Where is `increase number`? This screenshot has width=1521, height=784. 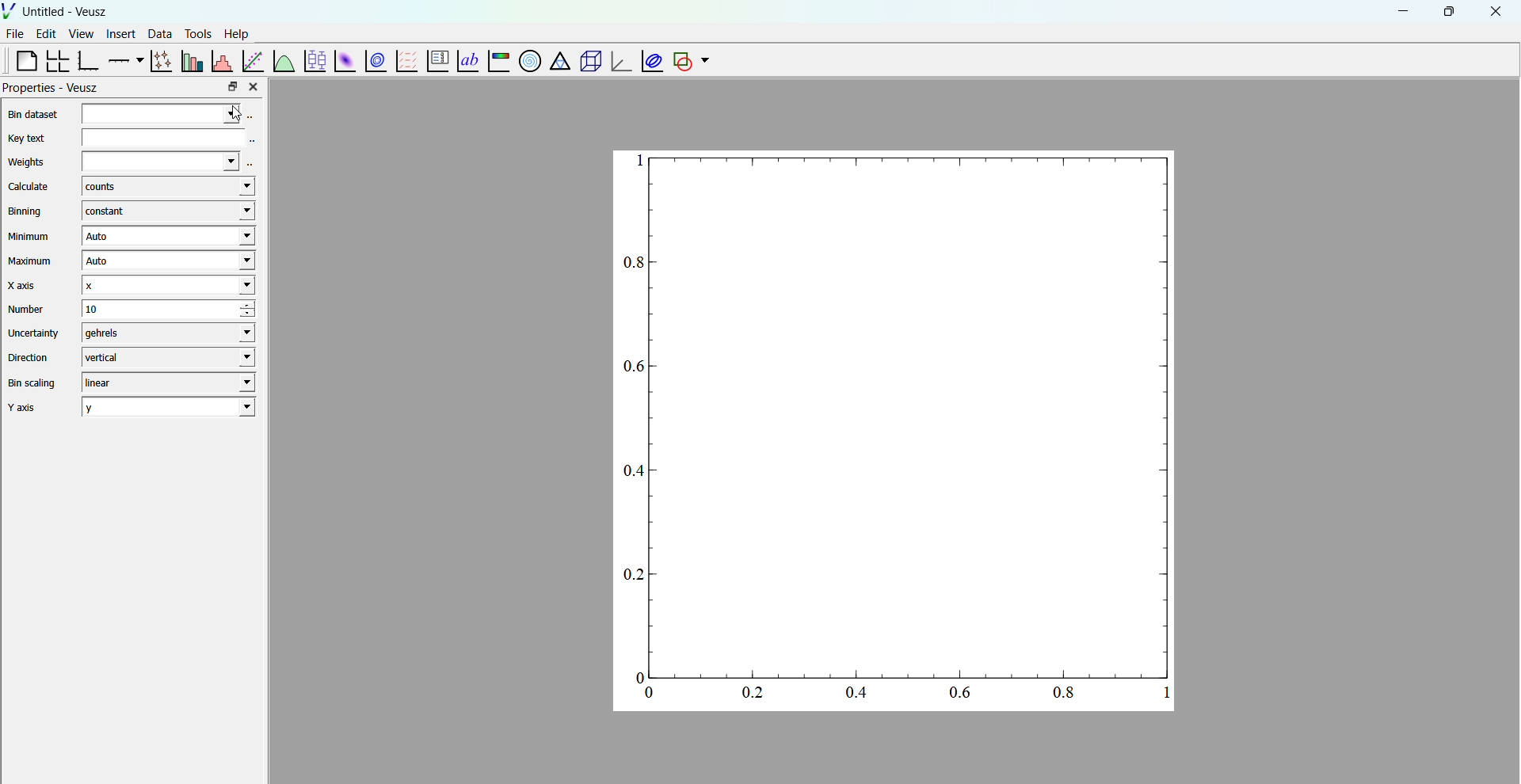
increase number is located at coordinates (259, 305).